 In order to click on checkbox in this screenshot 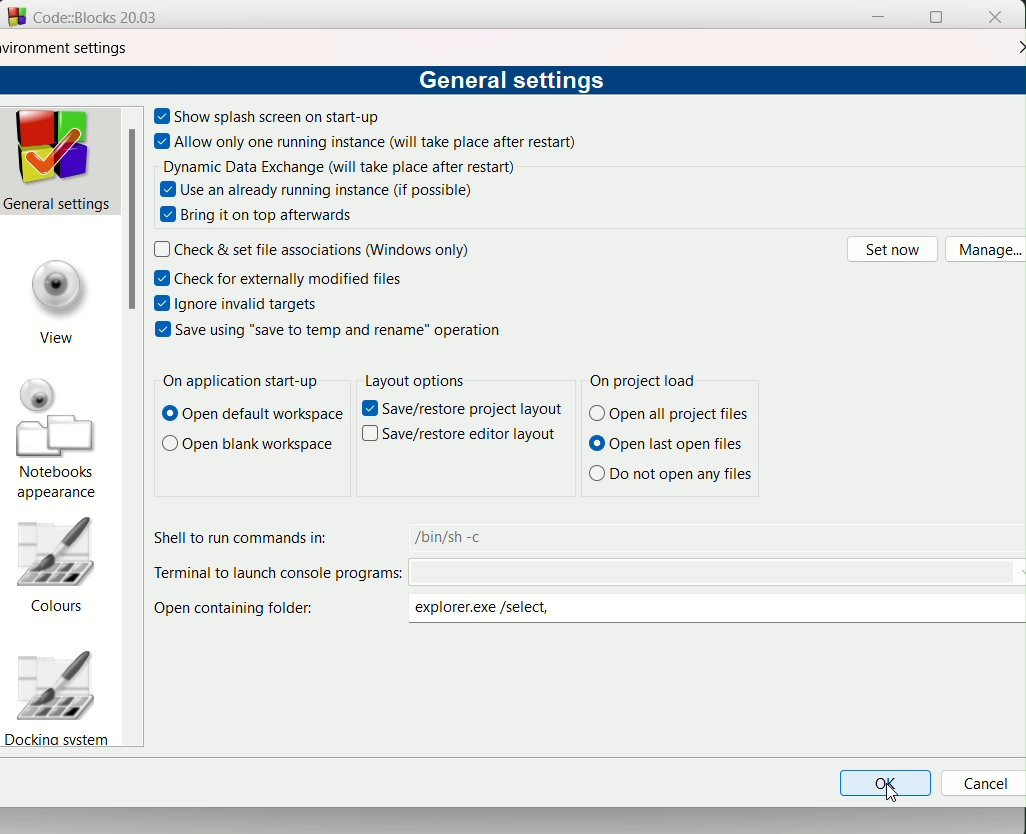, I will do `click(163, 142)`.